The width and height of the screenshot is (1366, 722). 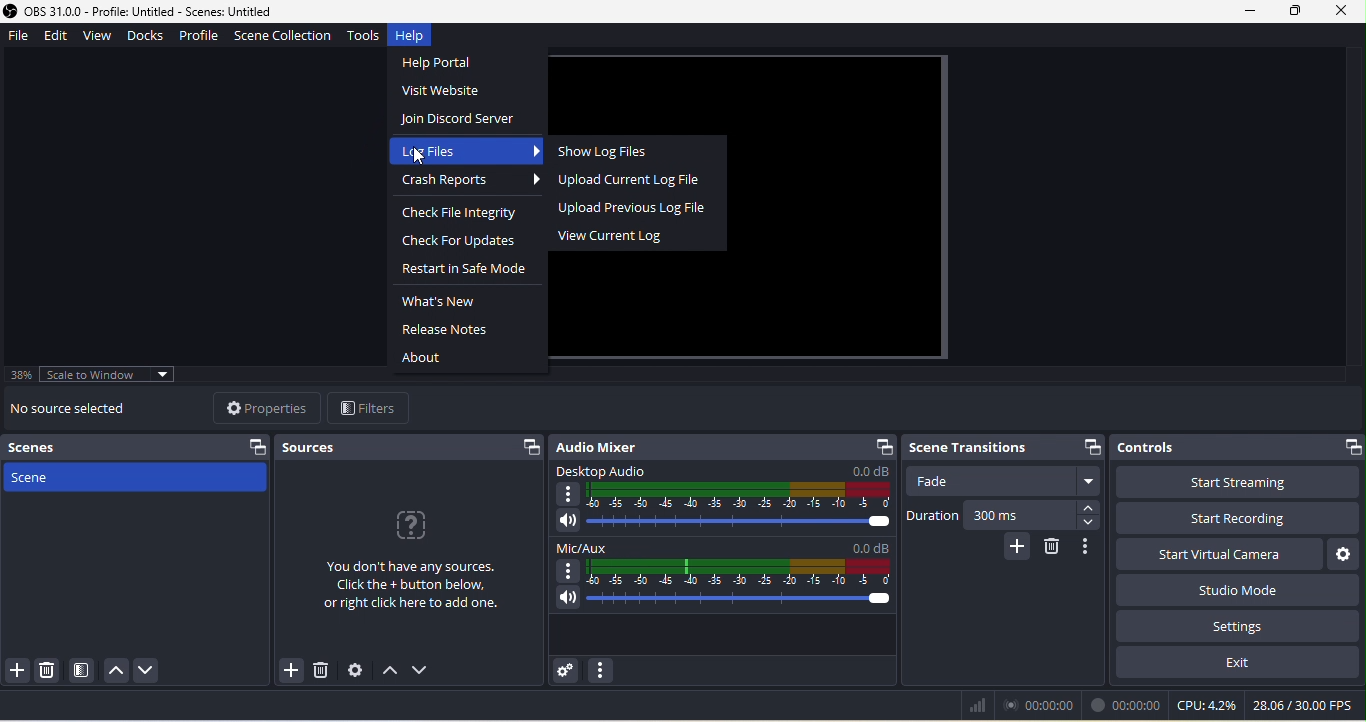 What do you see at coordinates (286, 672) in the screenshot?
I see `add source` at bounding box center [286, 672].